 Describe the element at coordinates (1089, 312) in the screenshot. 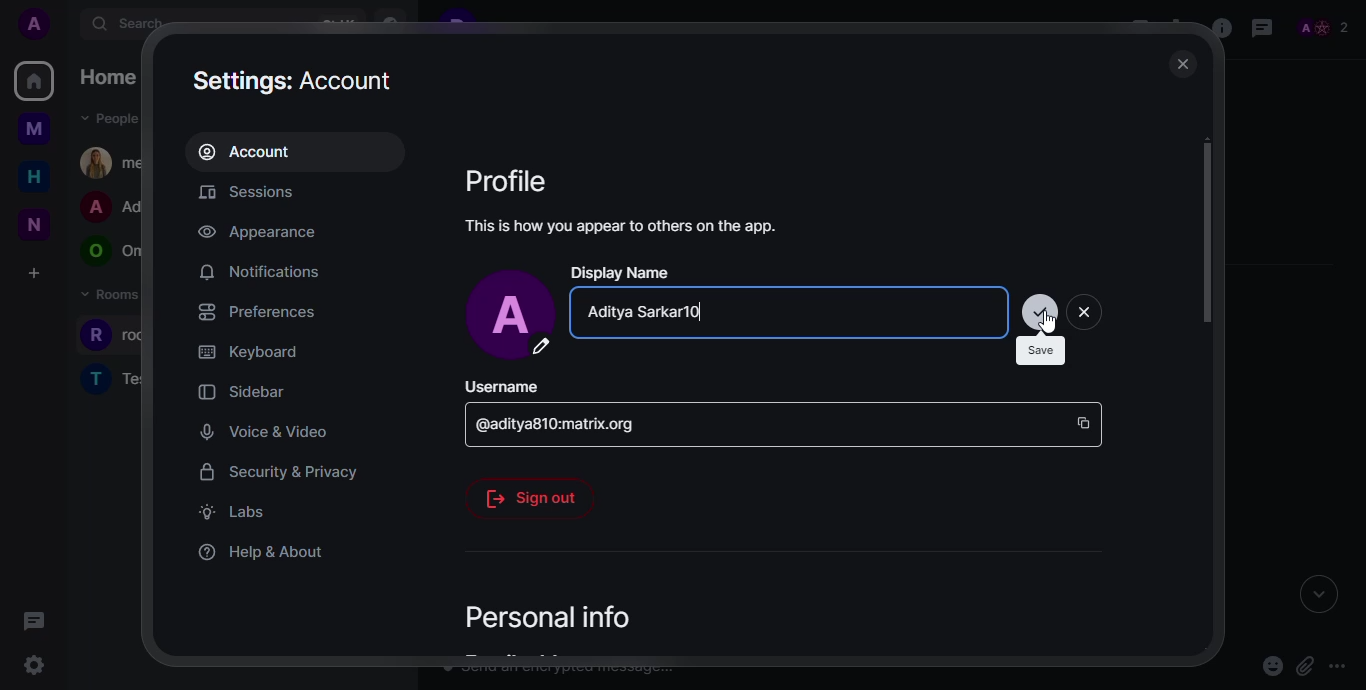

I see `close` at that location.